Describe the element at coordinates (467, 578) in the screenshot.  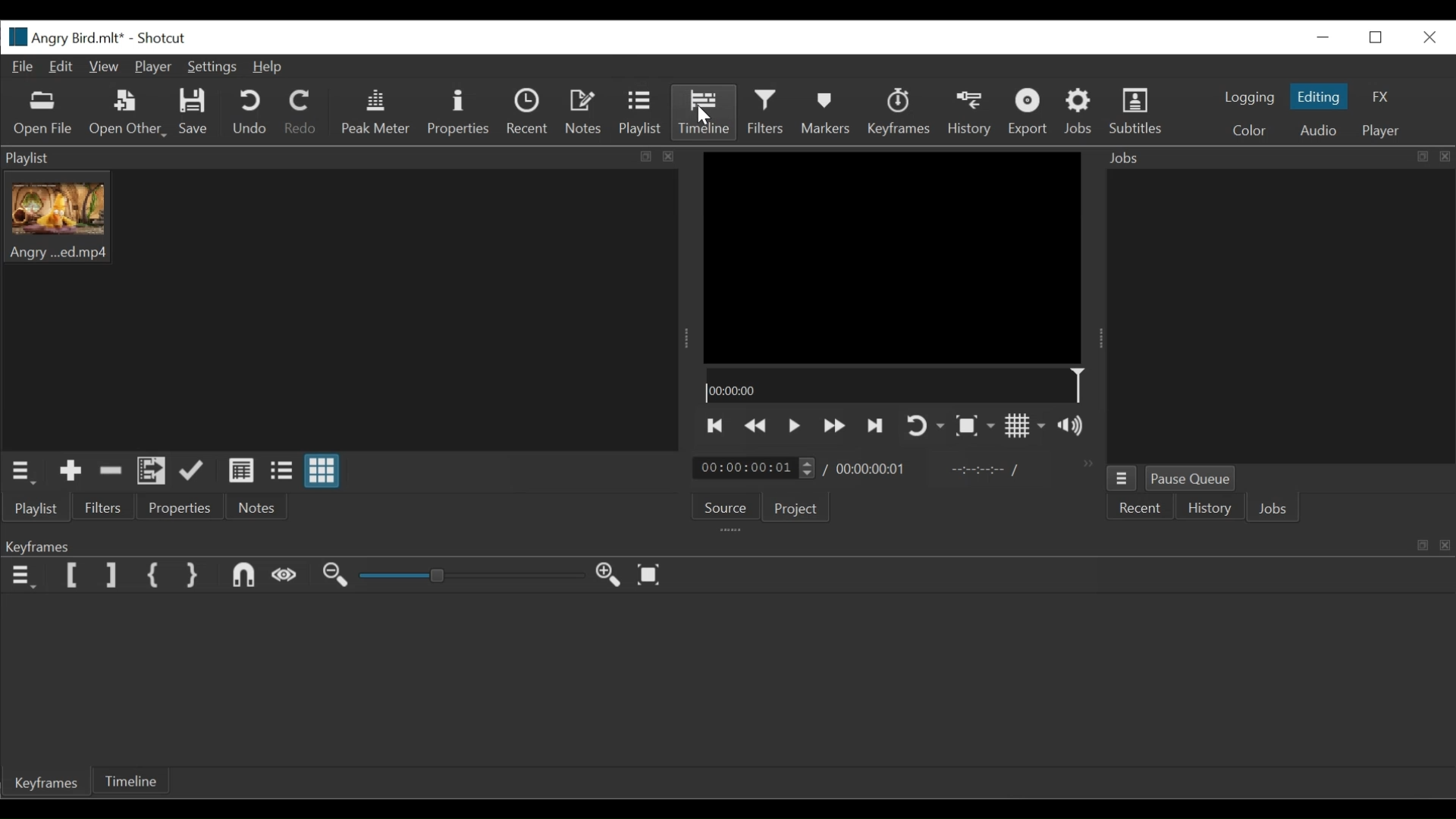
I see `Zoom slider` at that location.